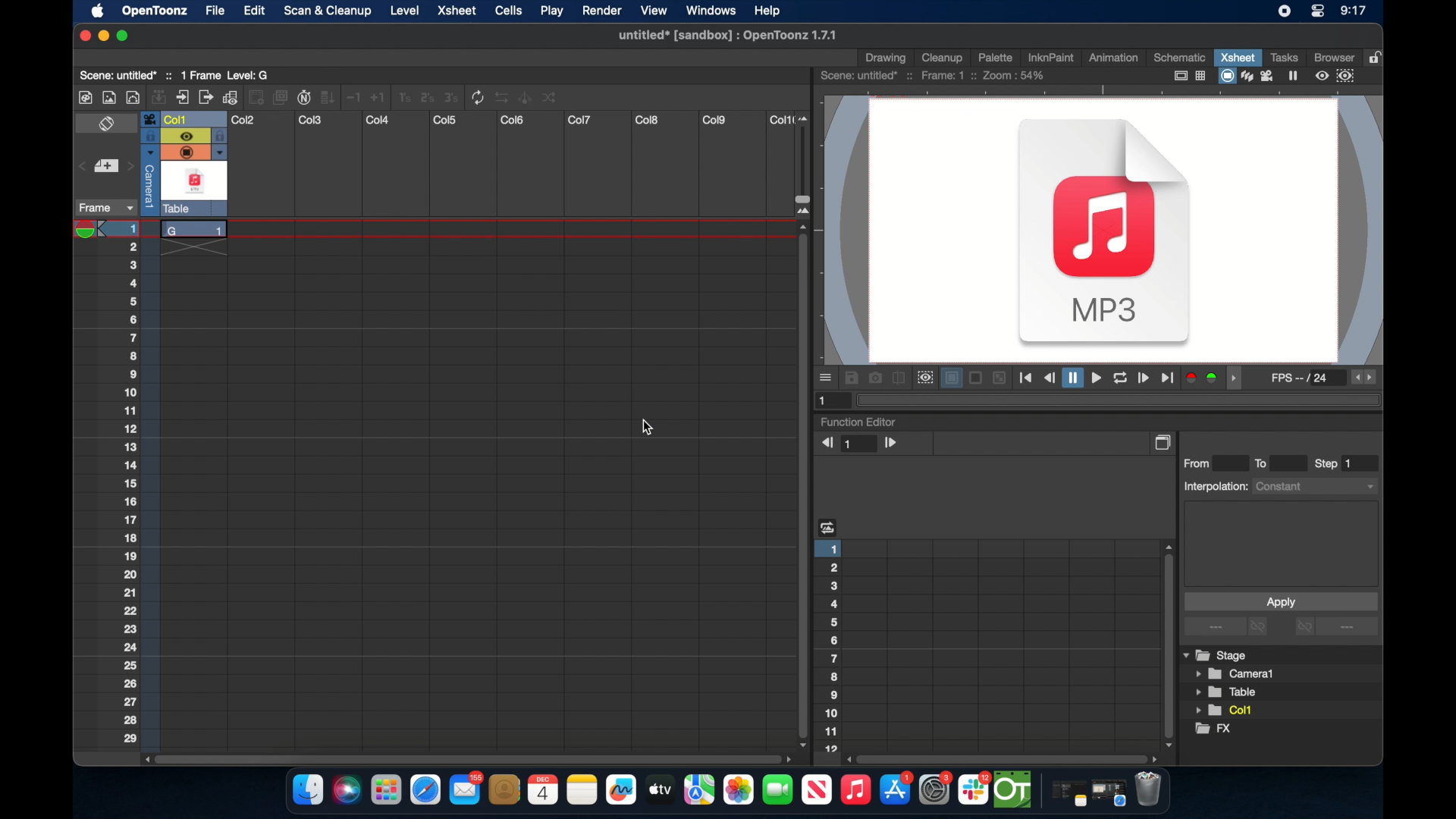  I want to click on frame, so click(103, 208).